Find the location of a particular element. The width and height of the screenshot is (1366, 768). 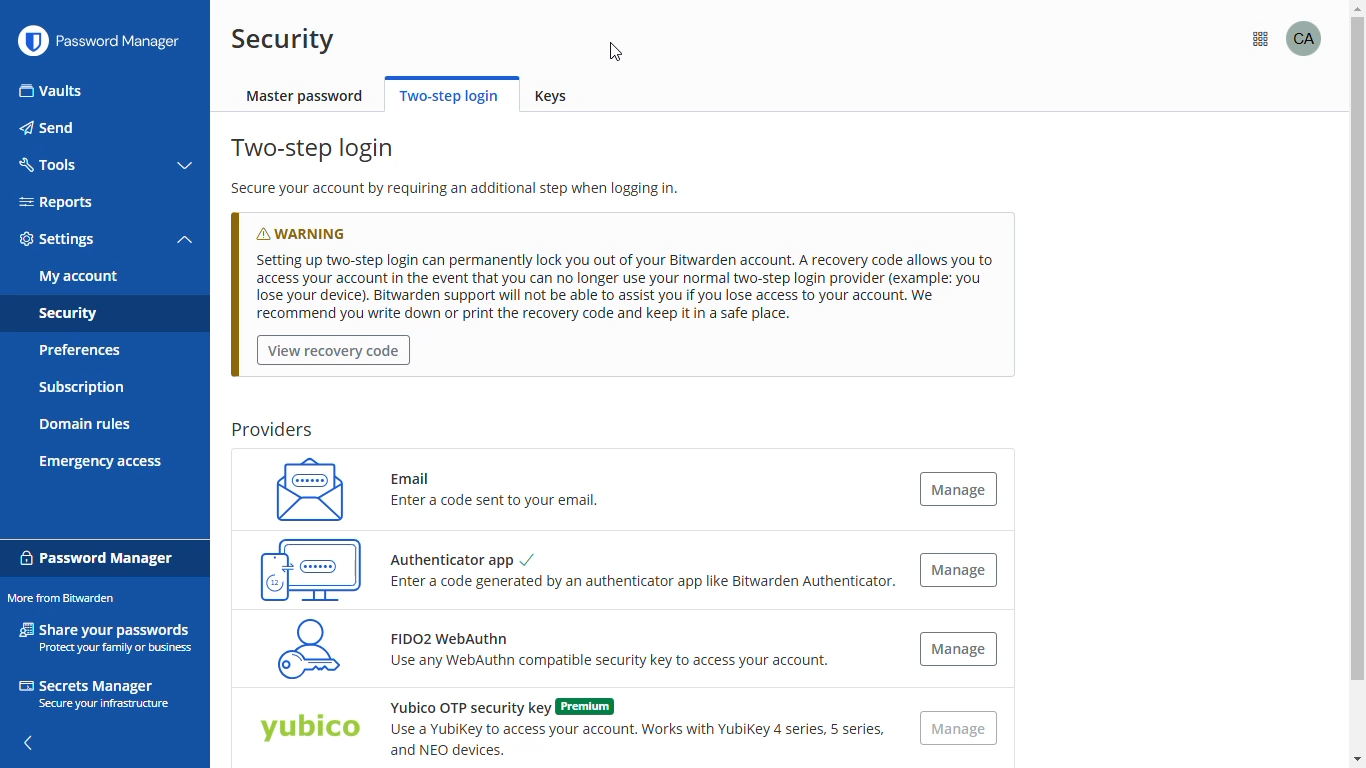

logo is located at coordinates (32, 41).